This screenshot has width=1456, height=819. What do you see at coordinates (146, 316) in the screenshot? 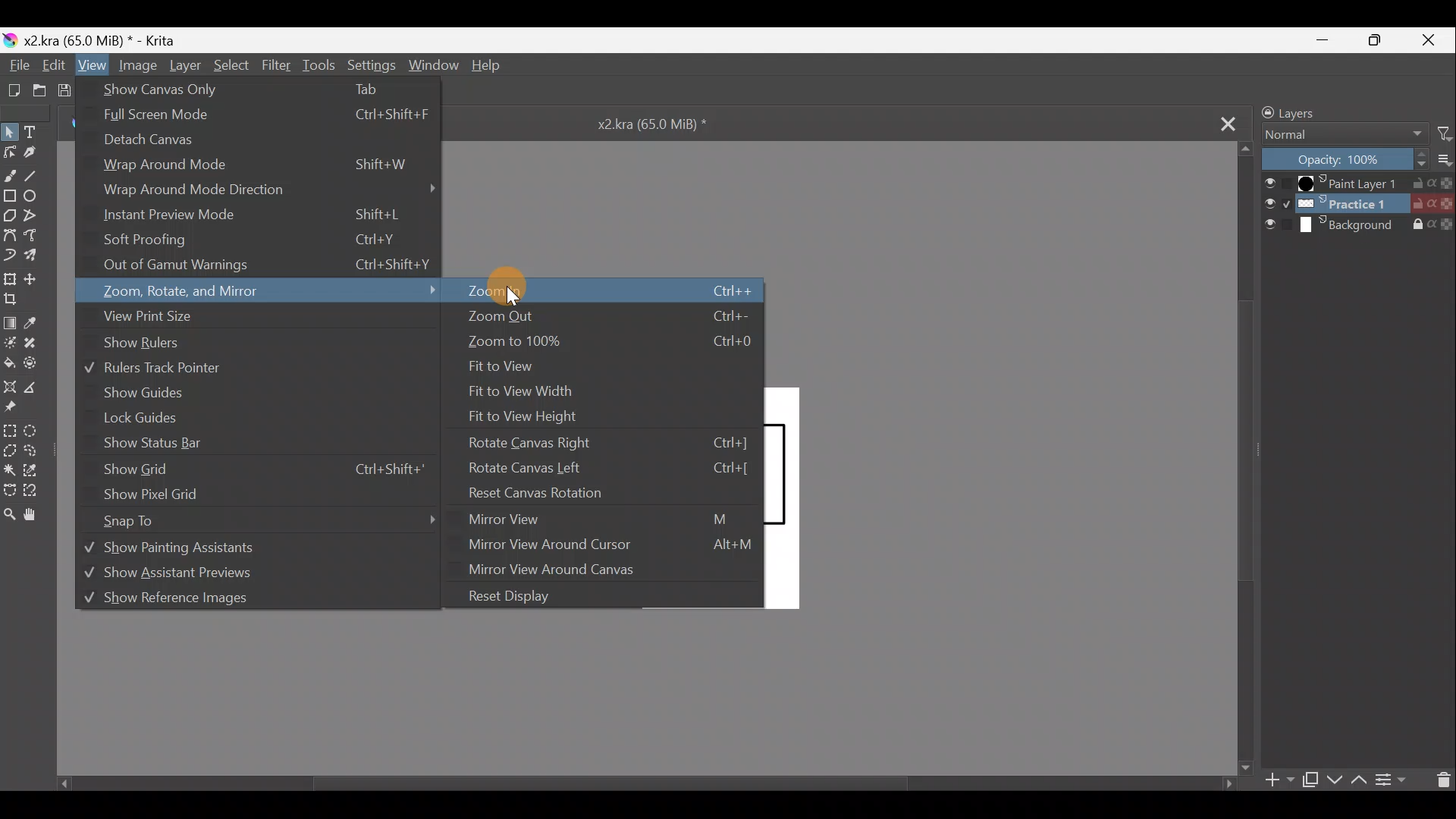
I see `View print size` at bounding box center [146, 316].